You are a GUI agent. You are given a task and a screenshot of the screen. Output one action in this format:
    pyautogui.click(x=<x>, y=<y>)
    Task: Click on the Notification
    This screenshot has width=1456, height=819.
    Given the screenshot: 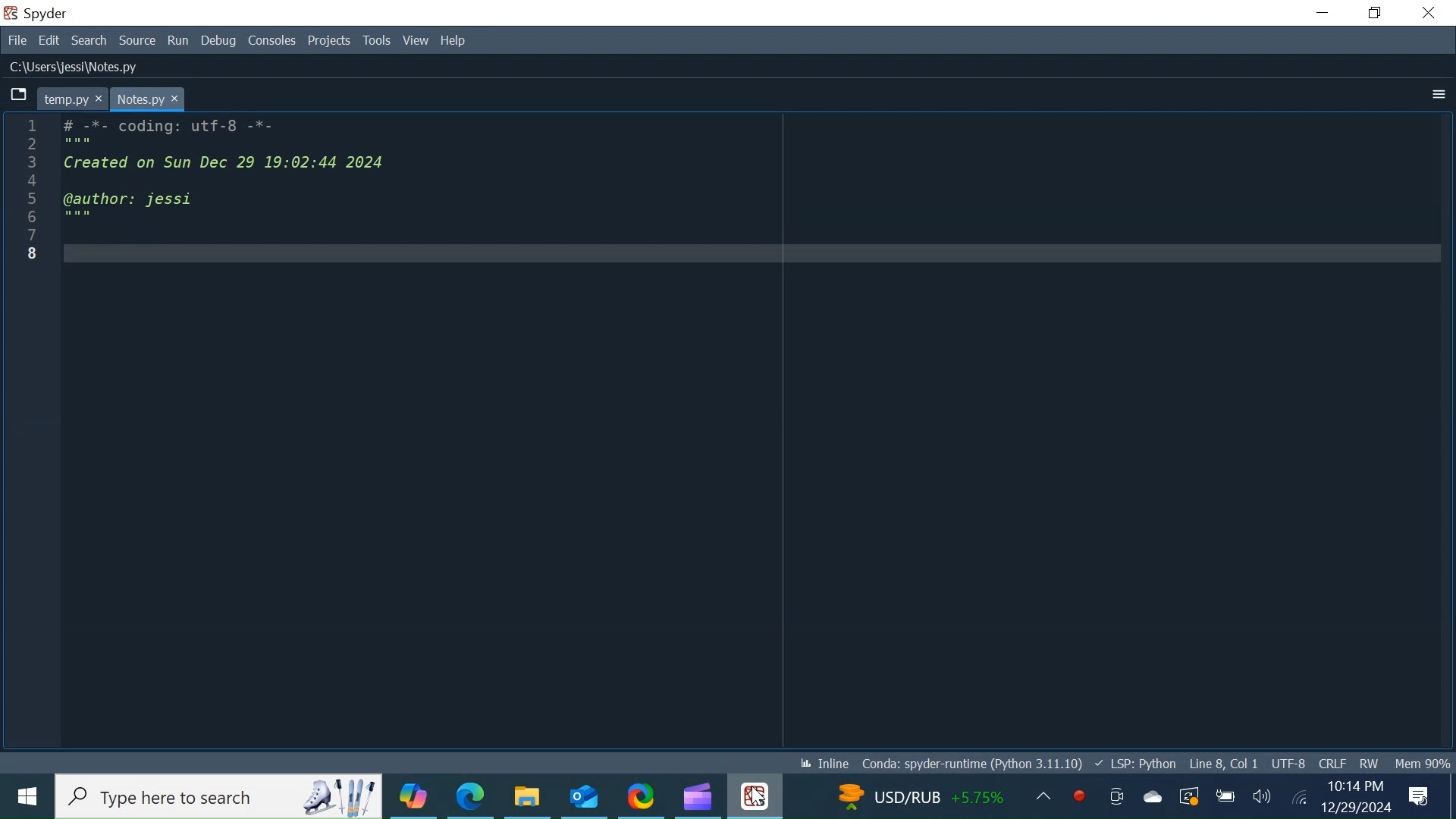 What is the action you would take?
    pyautogui.click(x=1420, y=796)
    